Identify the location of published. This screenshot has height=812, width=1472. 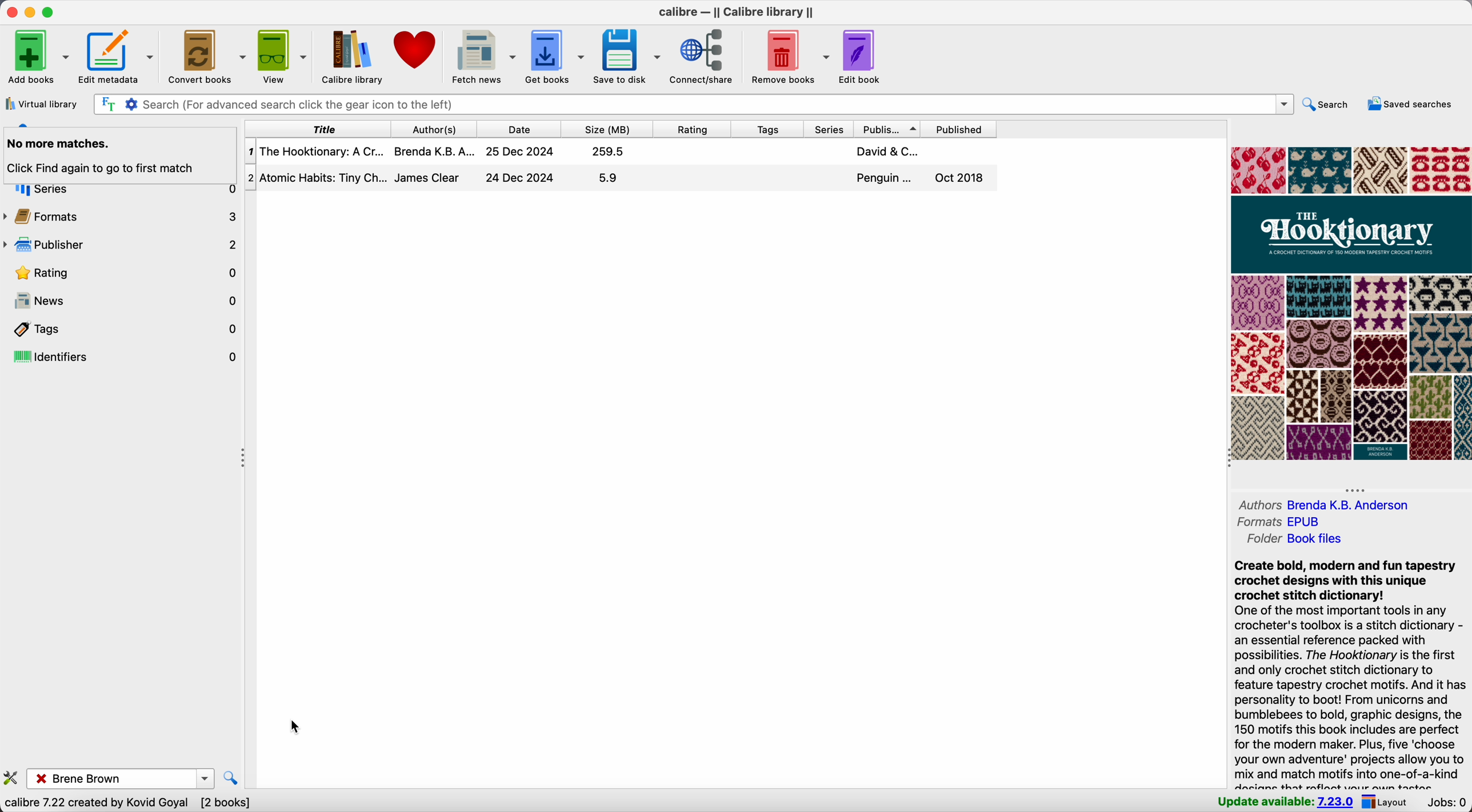
(961, 130).